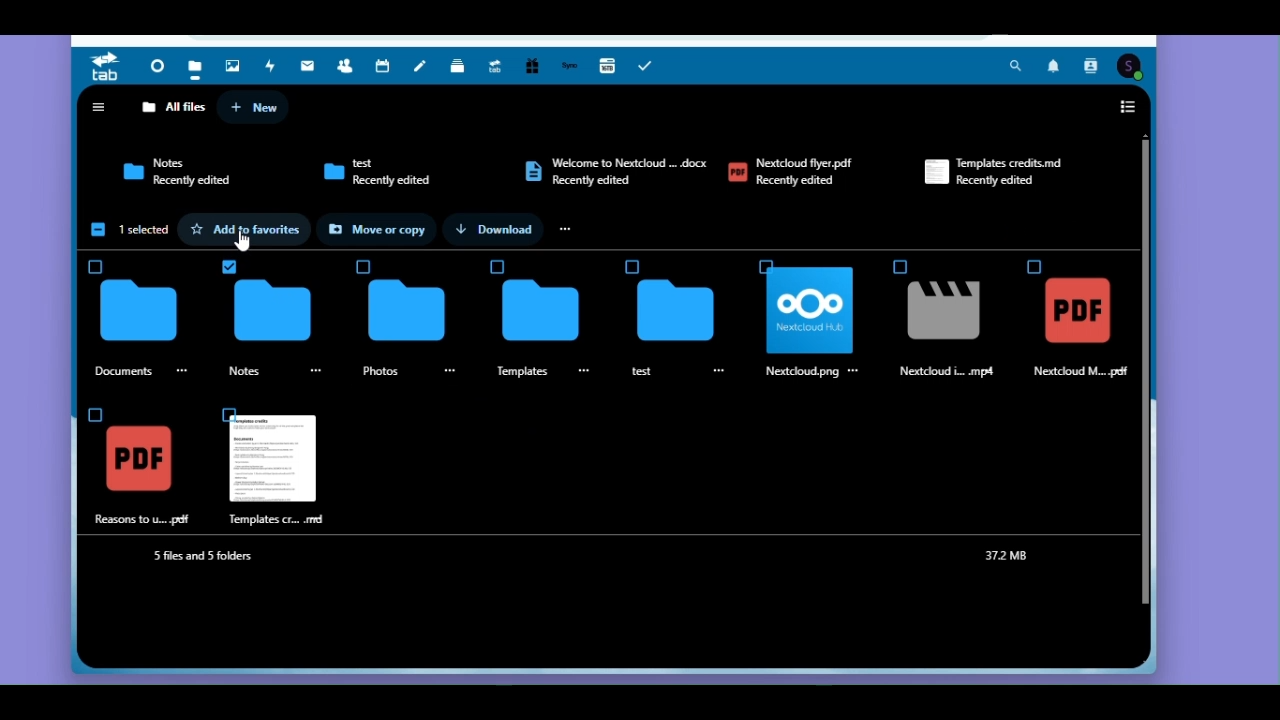 The image size is (1280, 720). What do you see at coordinates (1020, 67) in the screenshot?
I see `Search Bar` at bounding box center [1020, 67].